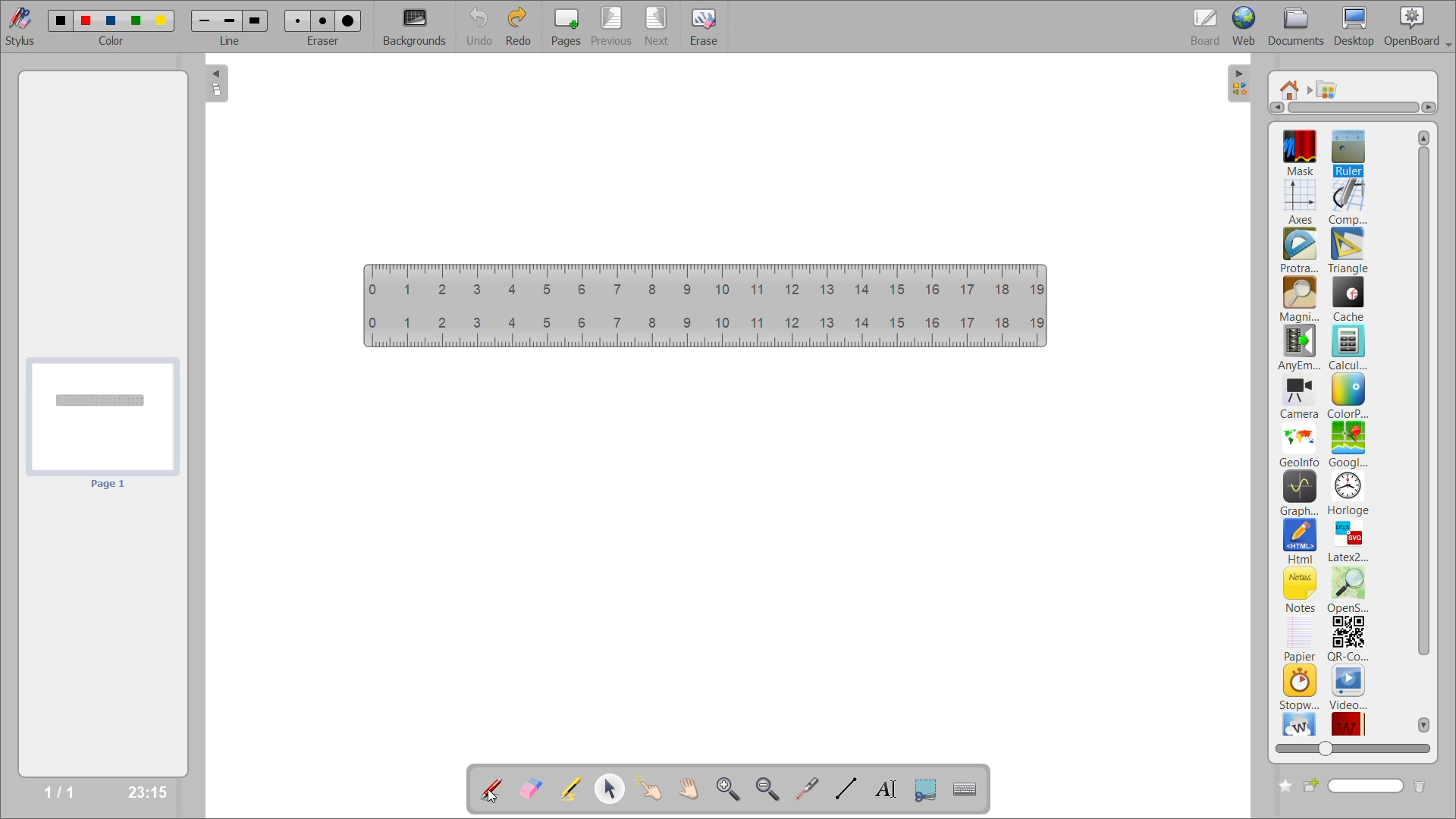 This screenshot has width=1456, height=819. What do you see at coordinates (770, 788) in the screenshot?
I see `zoom out` at bounding box center [770, 788].